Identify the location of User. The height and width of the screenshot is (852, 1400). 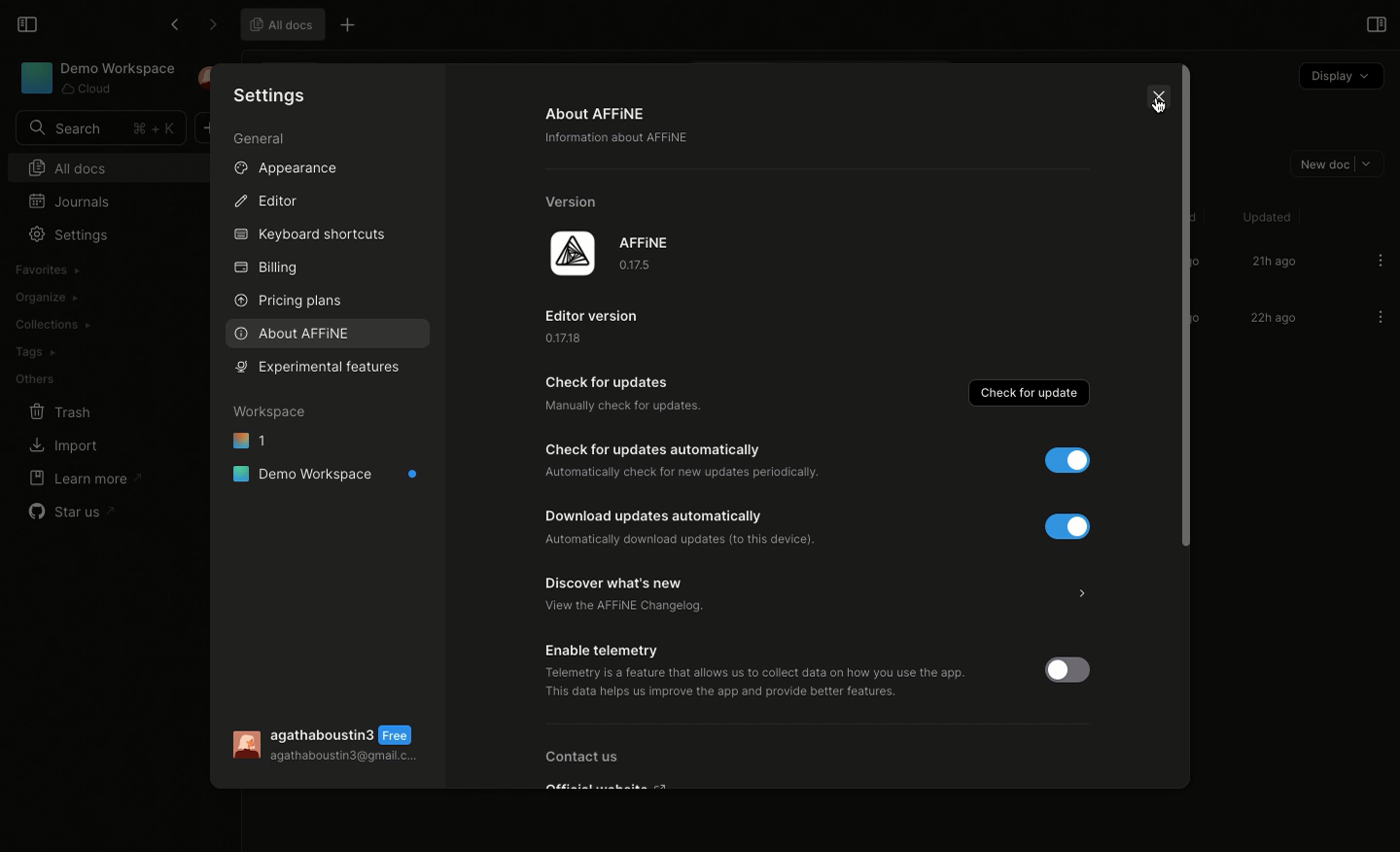
(332, 746).